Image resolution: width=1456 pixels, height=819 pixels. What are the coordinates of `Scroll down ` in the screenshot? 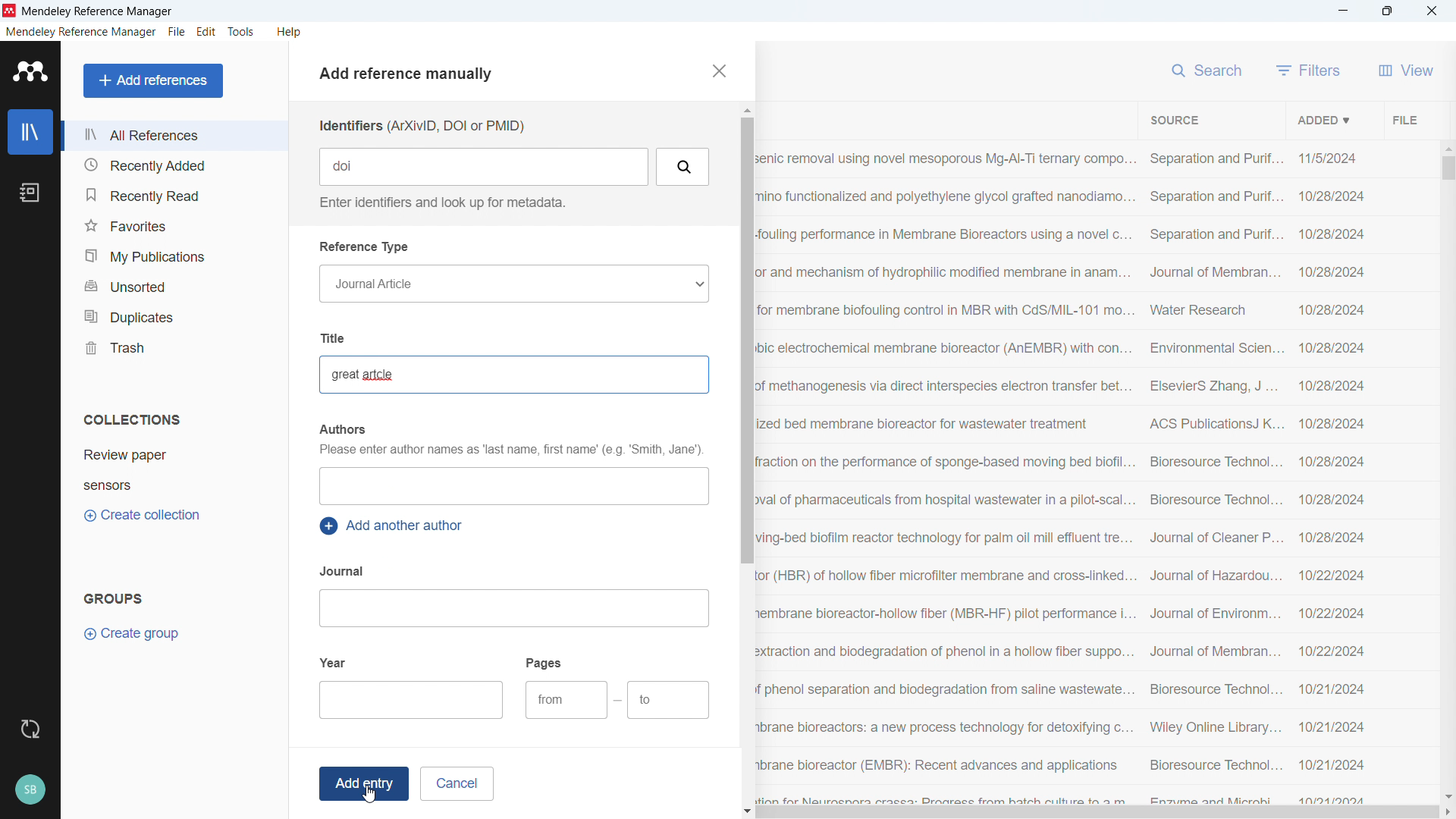 It's located at (1447, 796).